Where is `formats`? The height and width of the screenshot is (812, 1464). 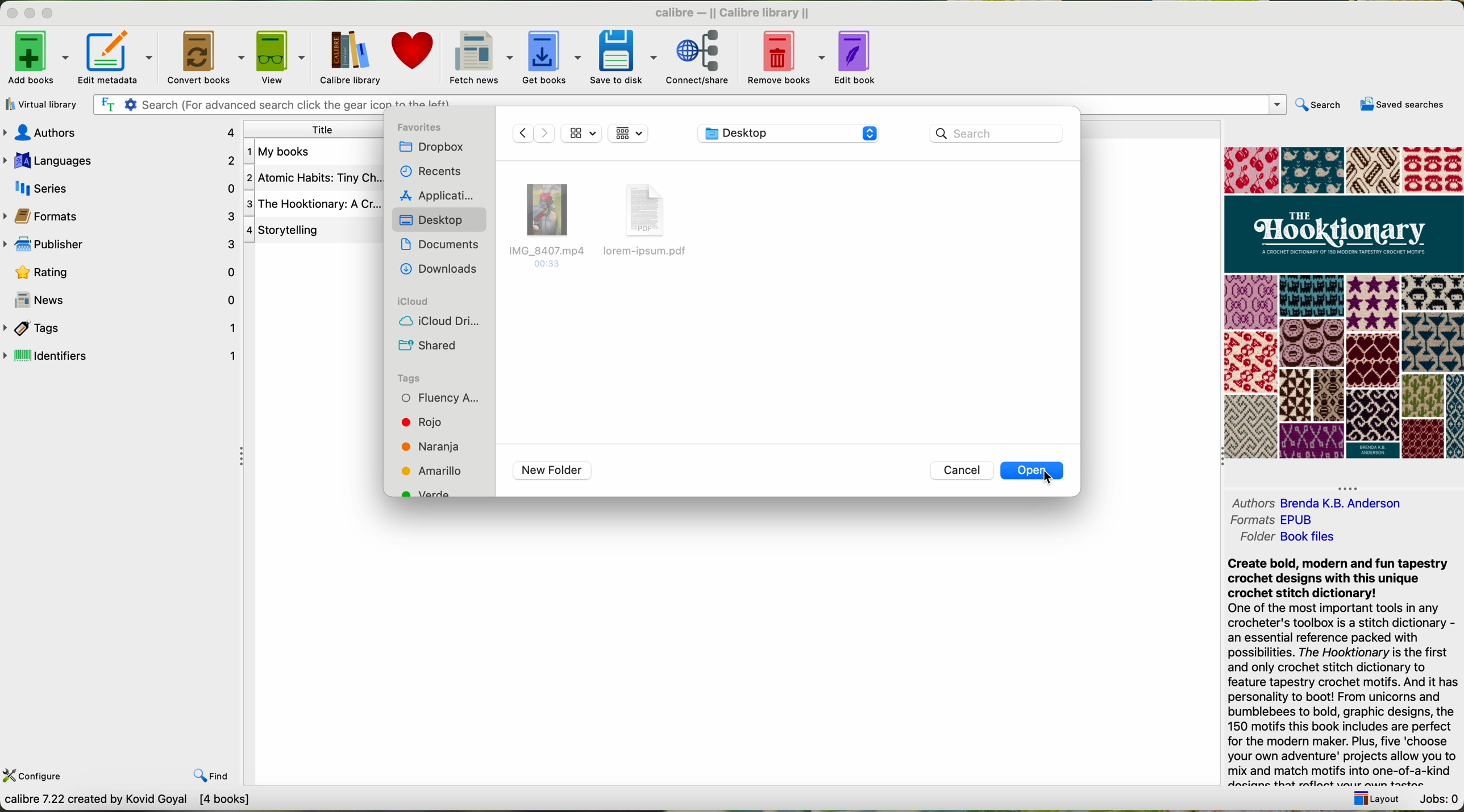 formats is located at coordinates (1250, 520).